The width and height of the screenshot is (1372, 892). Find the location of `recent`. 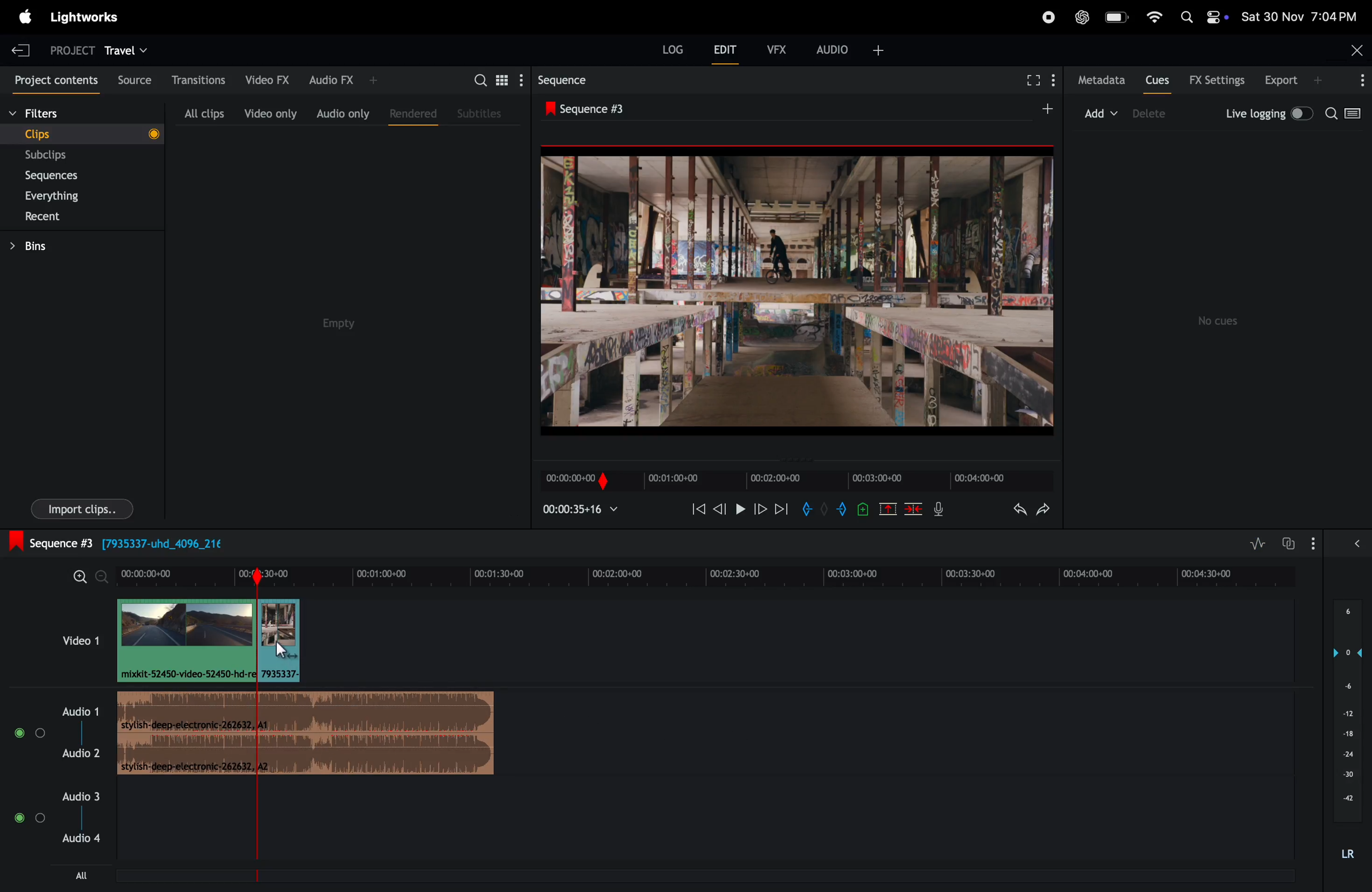

recent is located at coordinates (67, 216).